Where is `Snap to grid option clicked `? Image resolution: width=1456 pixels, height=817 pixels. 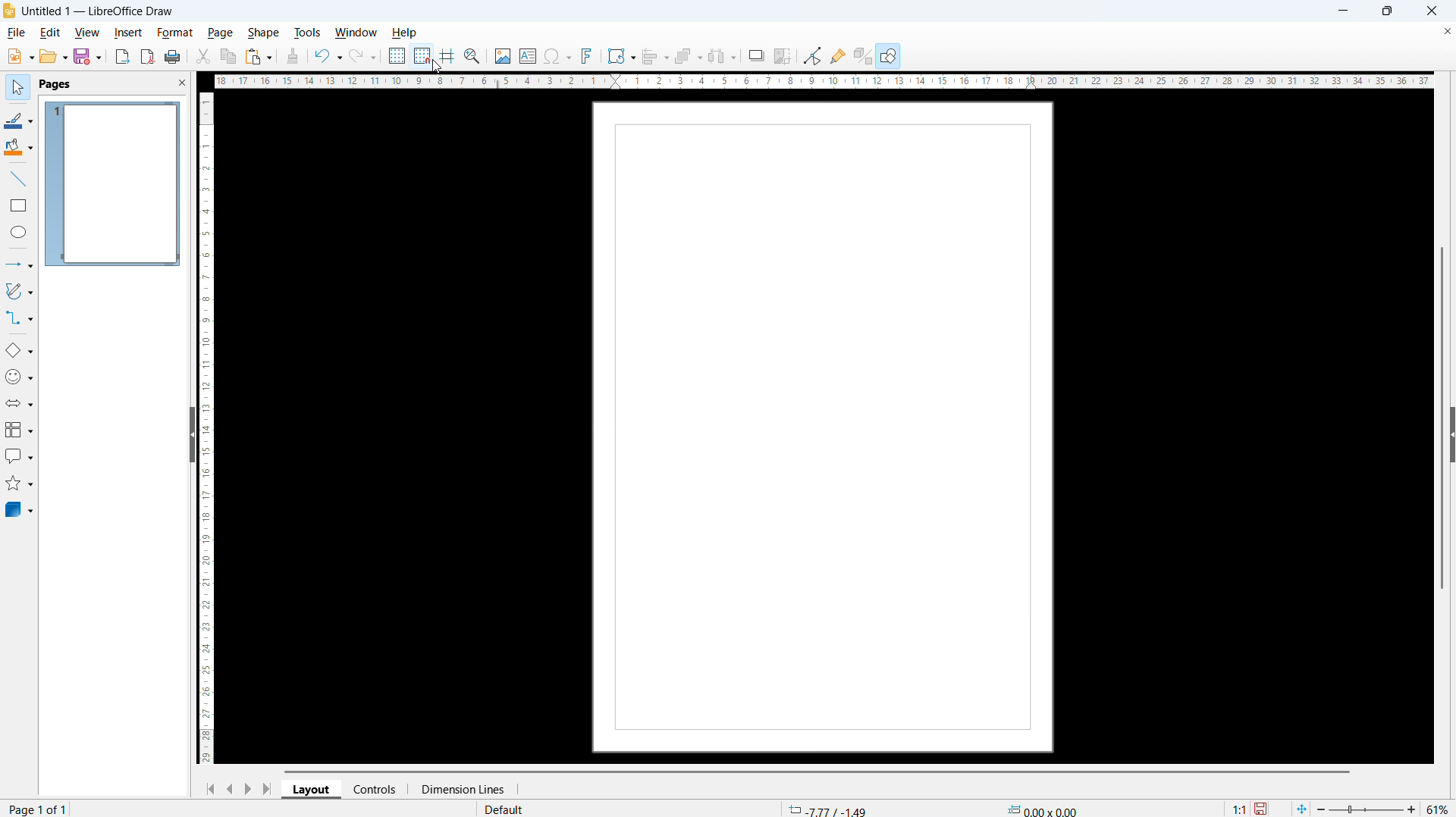 Snap to grid option clicked  is located at coordinates (422, 56).